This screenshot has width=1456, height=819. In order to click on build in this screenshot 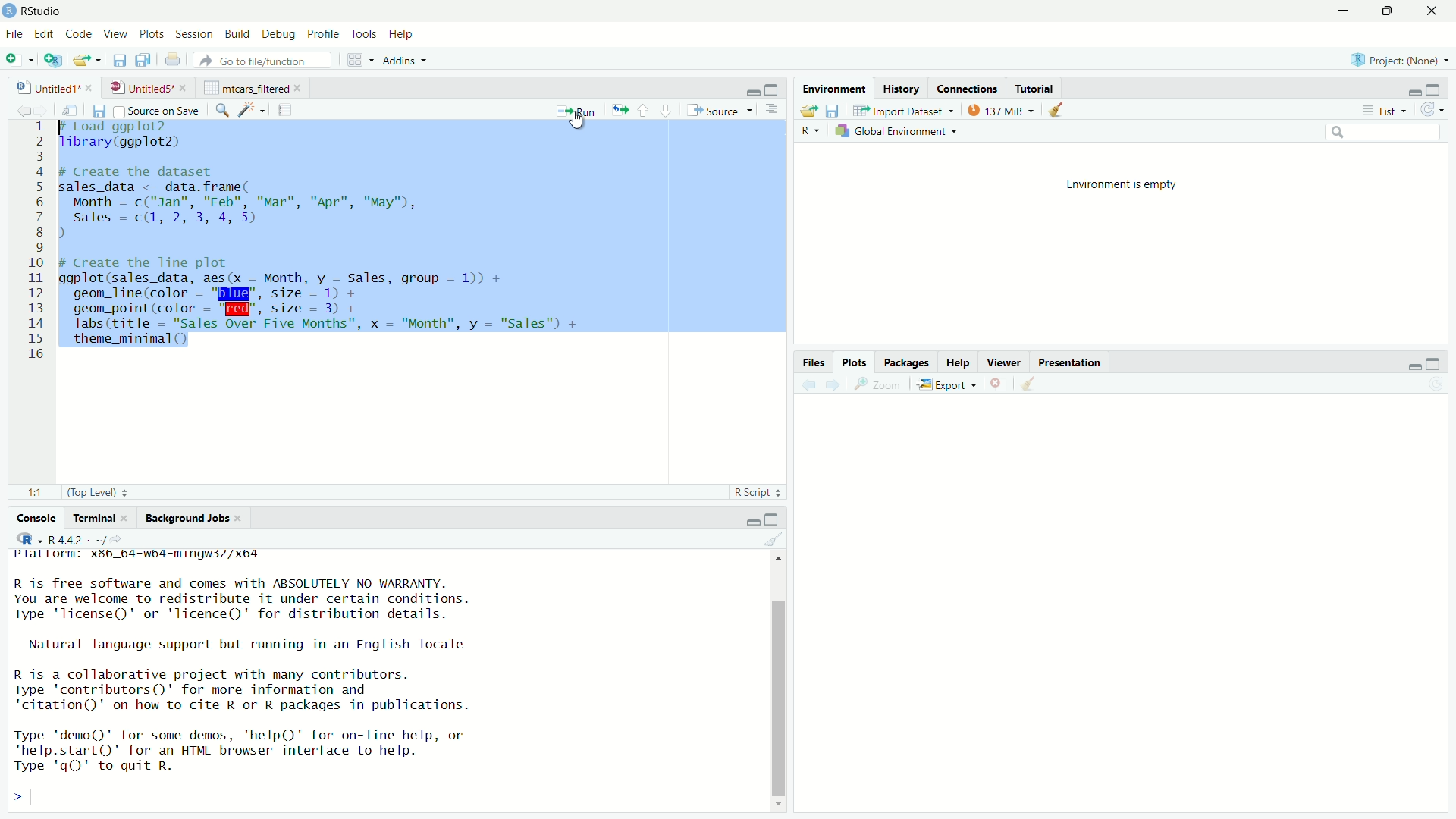, I will do `click(239, 34)`.